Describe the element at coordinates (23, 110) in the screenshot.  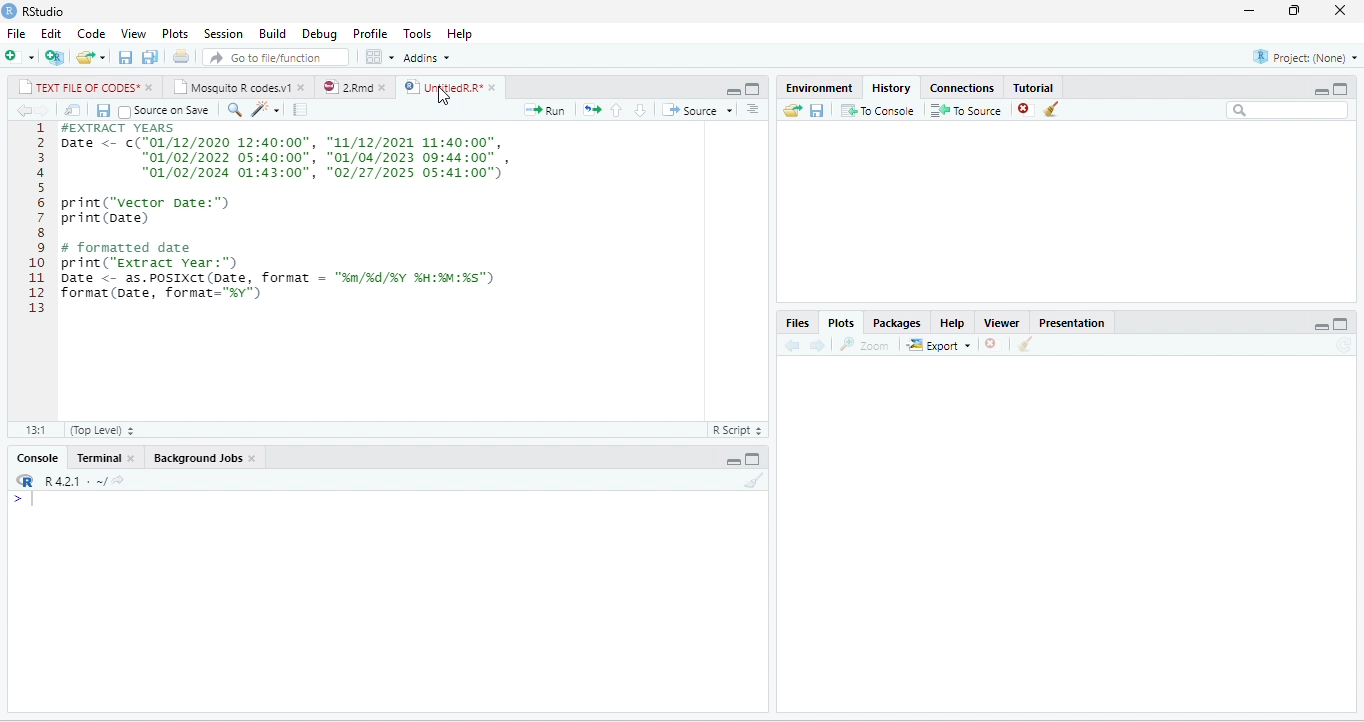
I see `back` at that location.